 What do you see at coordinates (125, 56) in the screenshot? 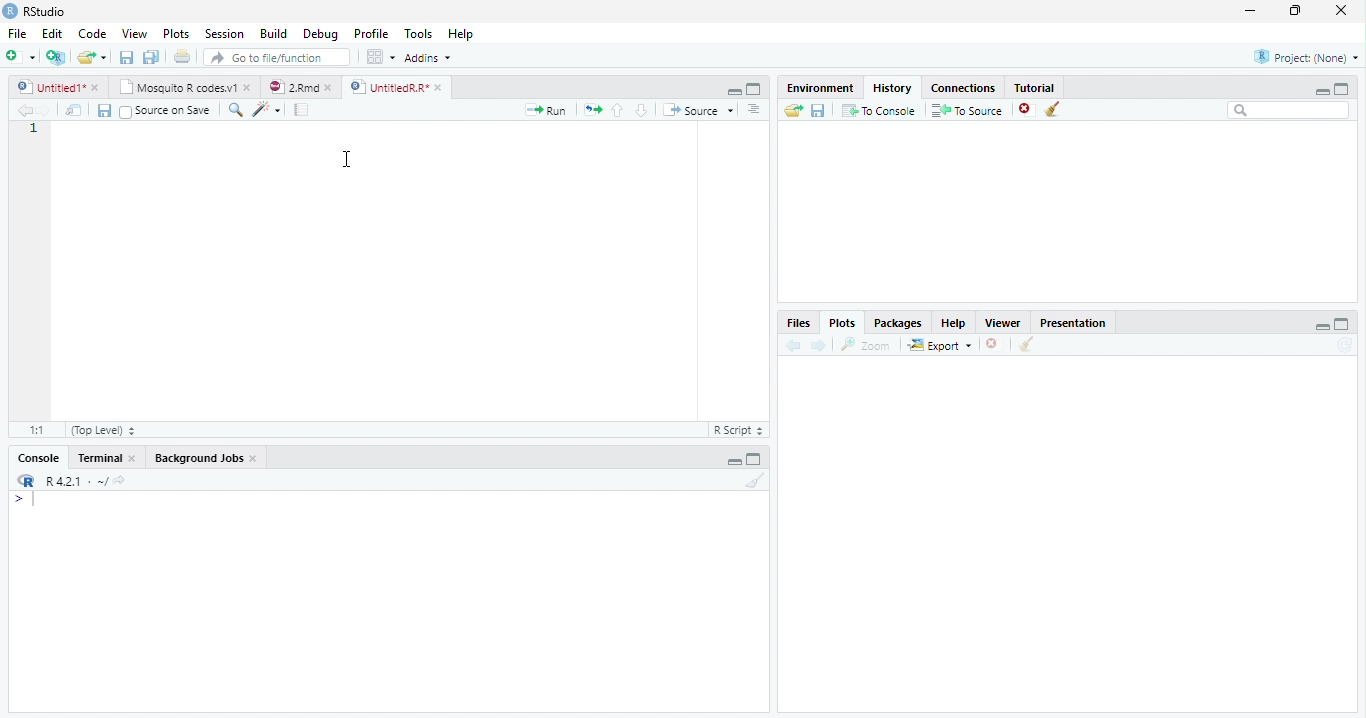
I see `Save` at bounding box center [125, 56].